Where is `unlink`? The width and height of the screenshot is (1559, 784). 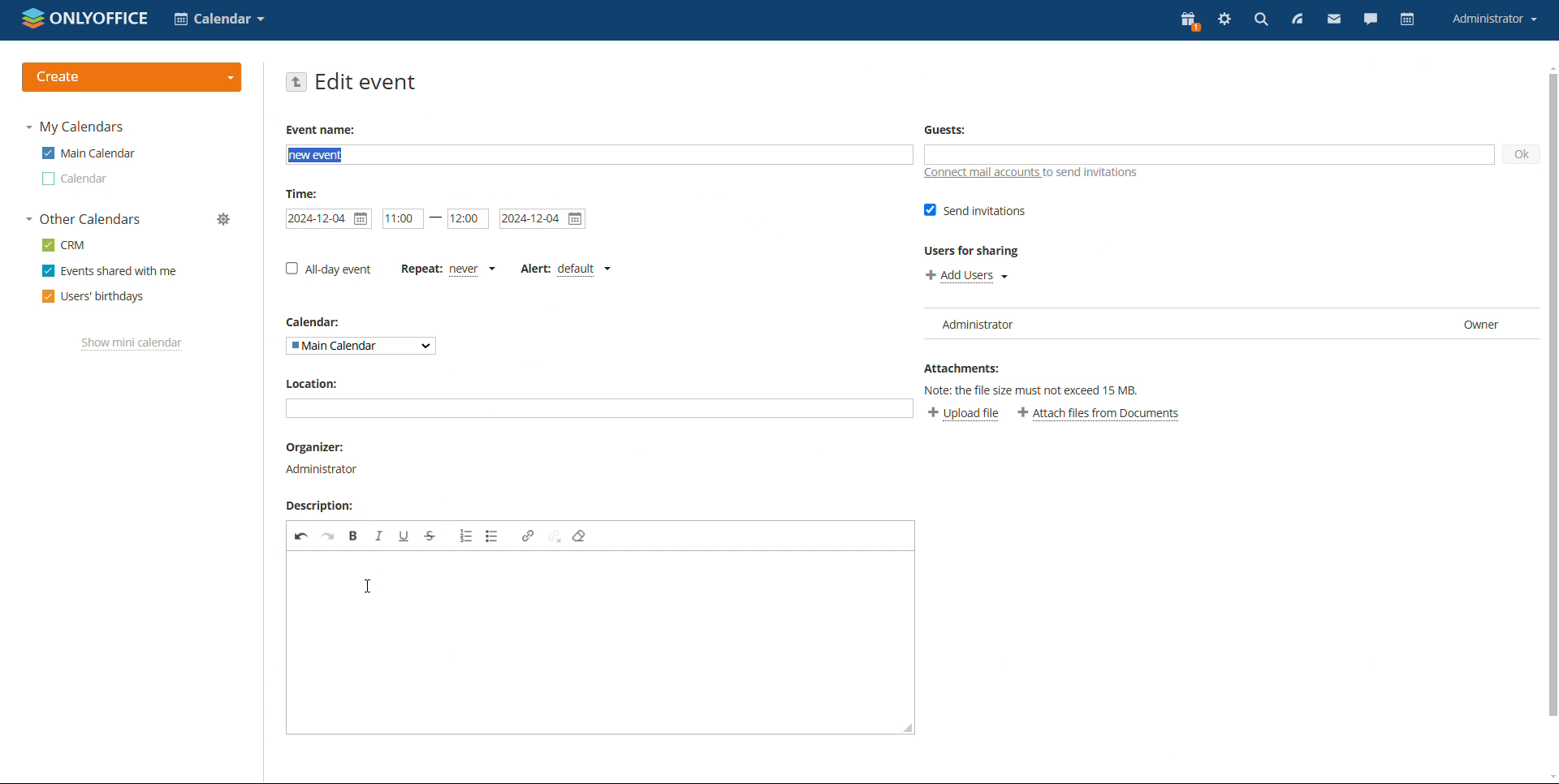
unlink is located at coordinates (554, 536).